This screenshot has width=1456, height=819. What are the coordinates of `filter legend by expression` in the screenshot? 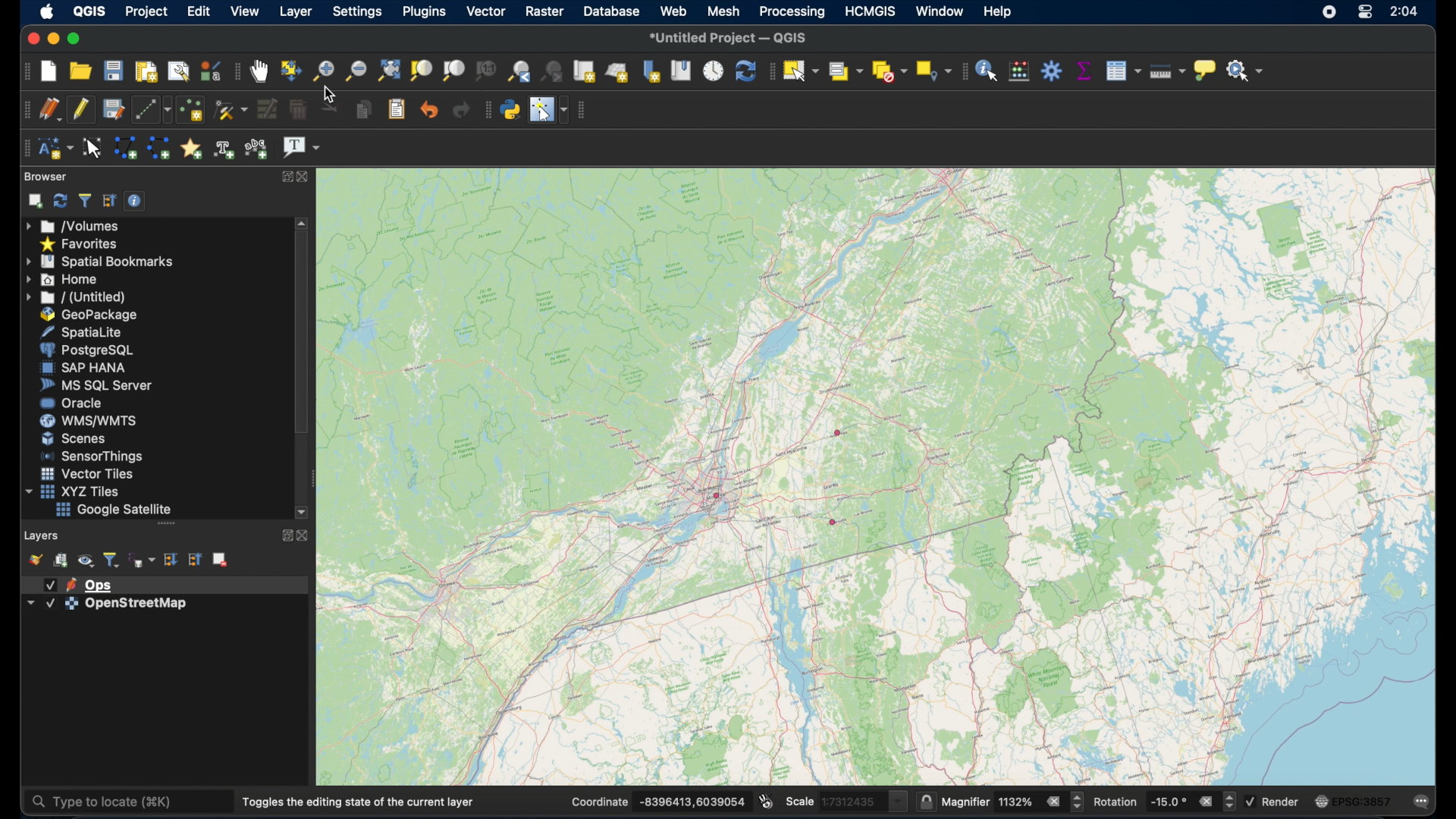 It's located at (142, 560).